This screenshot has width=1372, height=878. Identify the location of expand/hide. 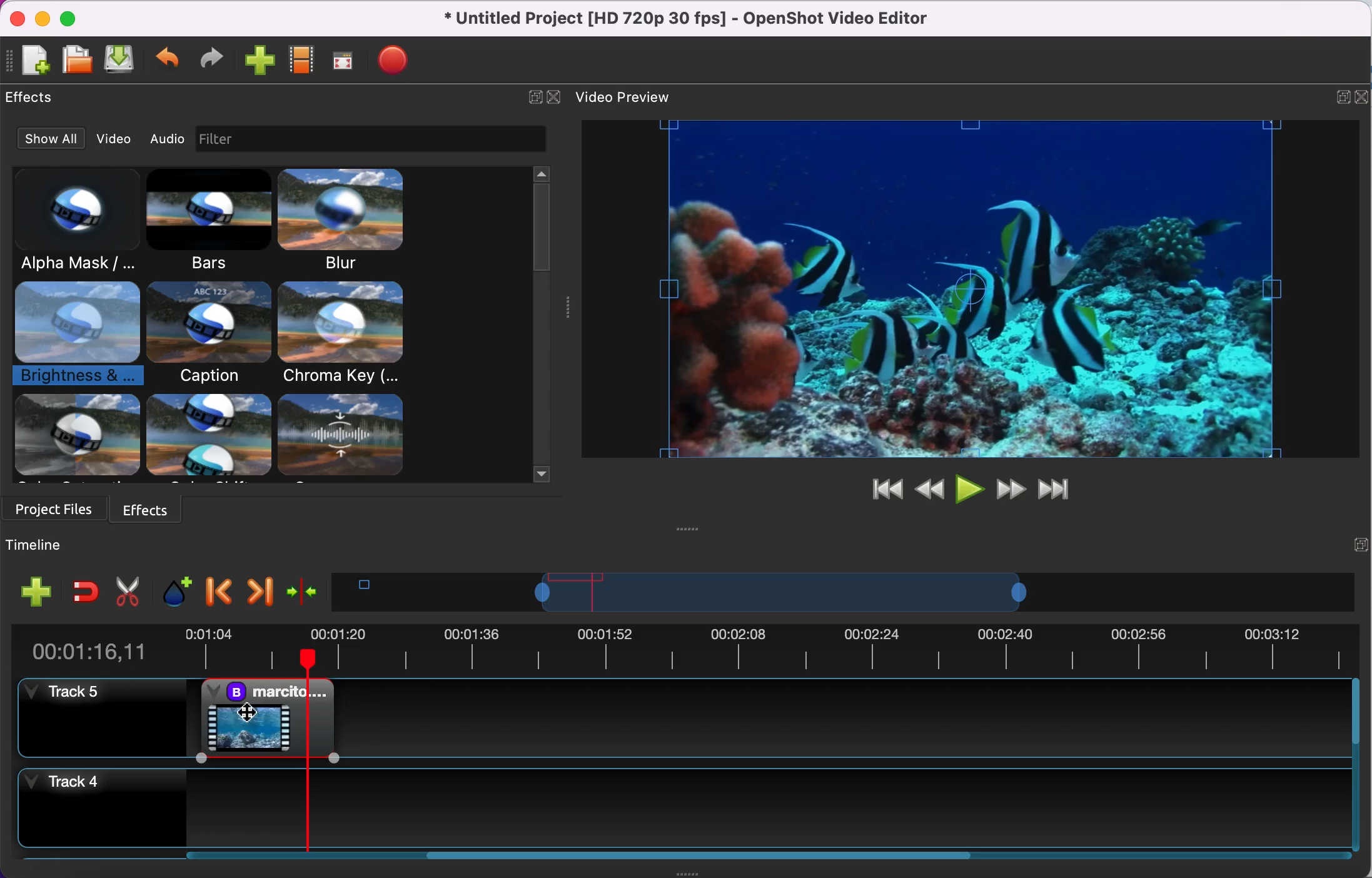
(1360, 543).